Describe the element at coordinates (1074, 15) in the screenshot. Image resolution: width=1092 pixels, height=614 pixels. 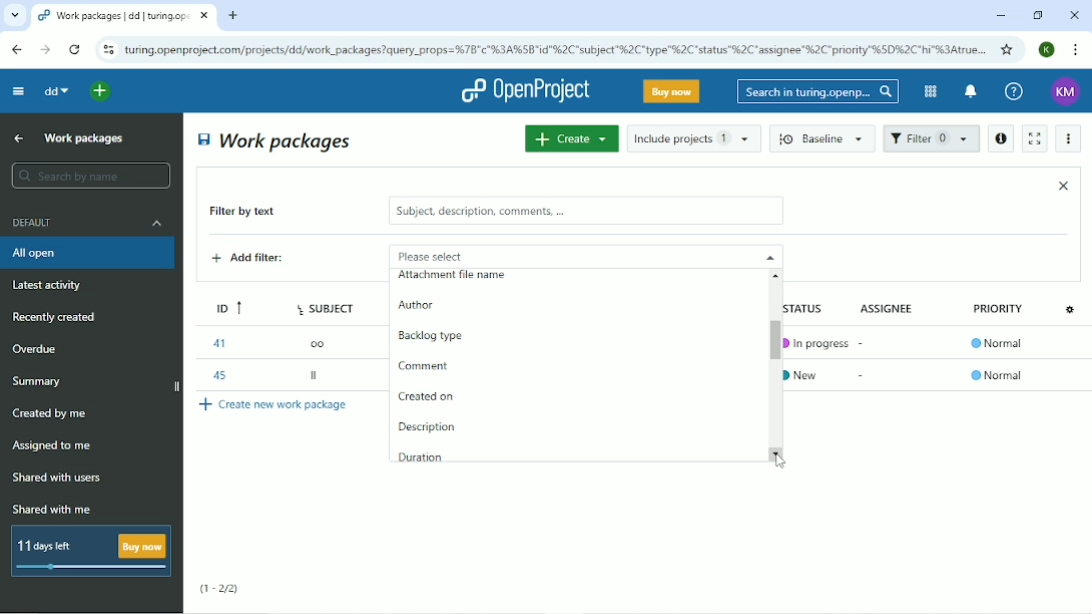
I see `Close` at that location.